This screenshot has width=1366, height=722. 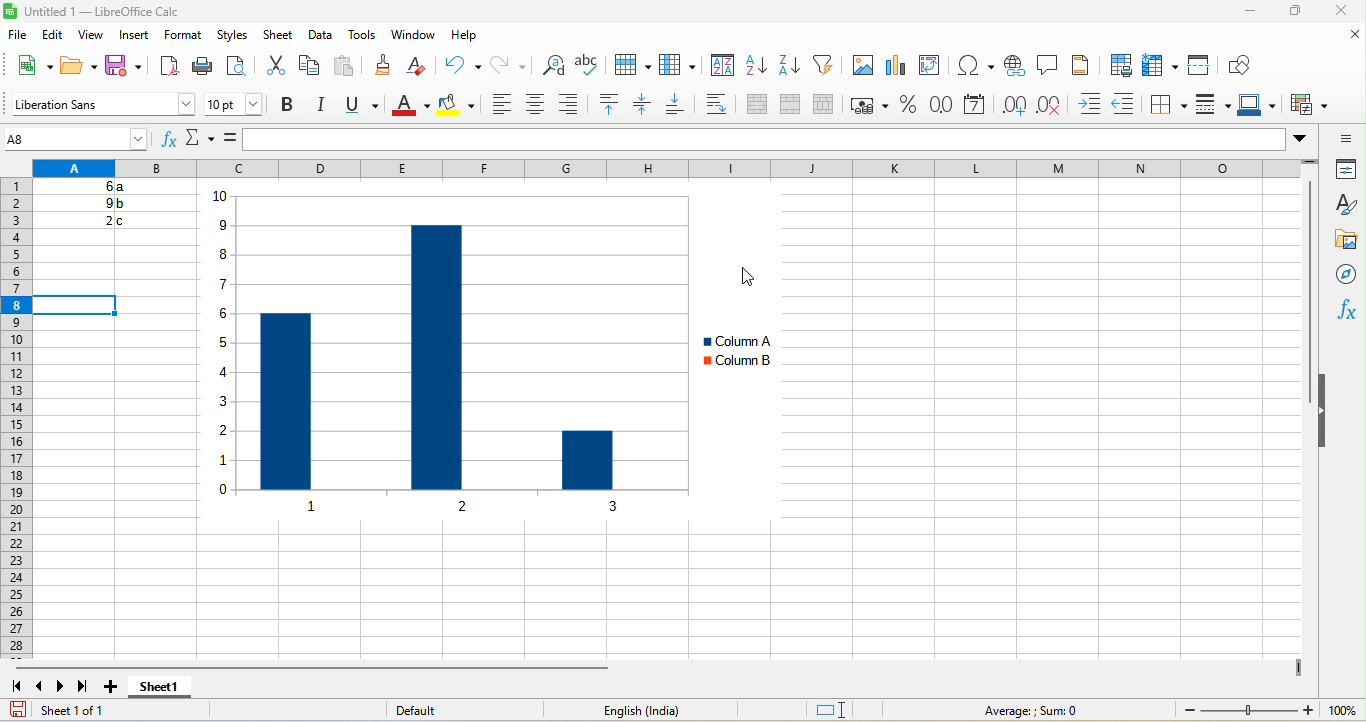 I want to click on freeze row and column, so click(x=1158, y=62).